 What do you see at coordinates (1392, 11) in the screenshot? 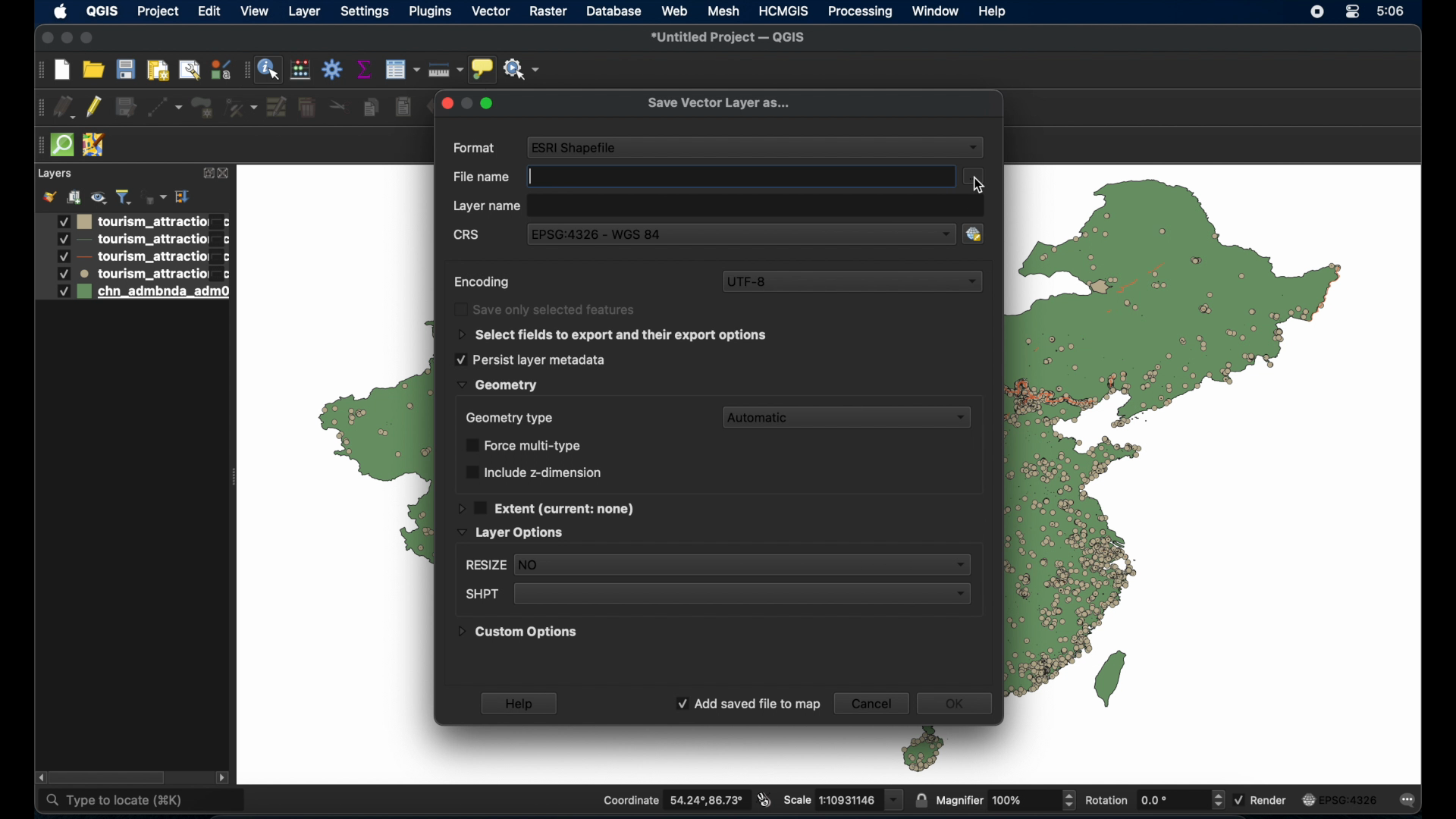
I see `time` at bounding box center [1392, 11].